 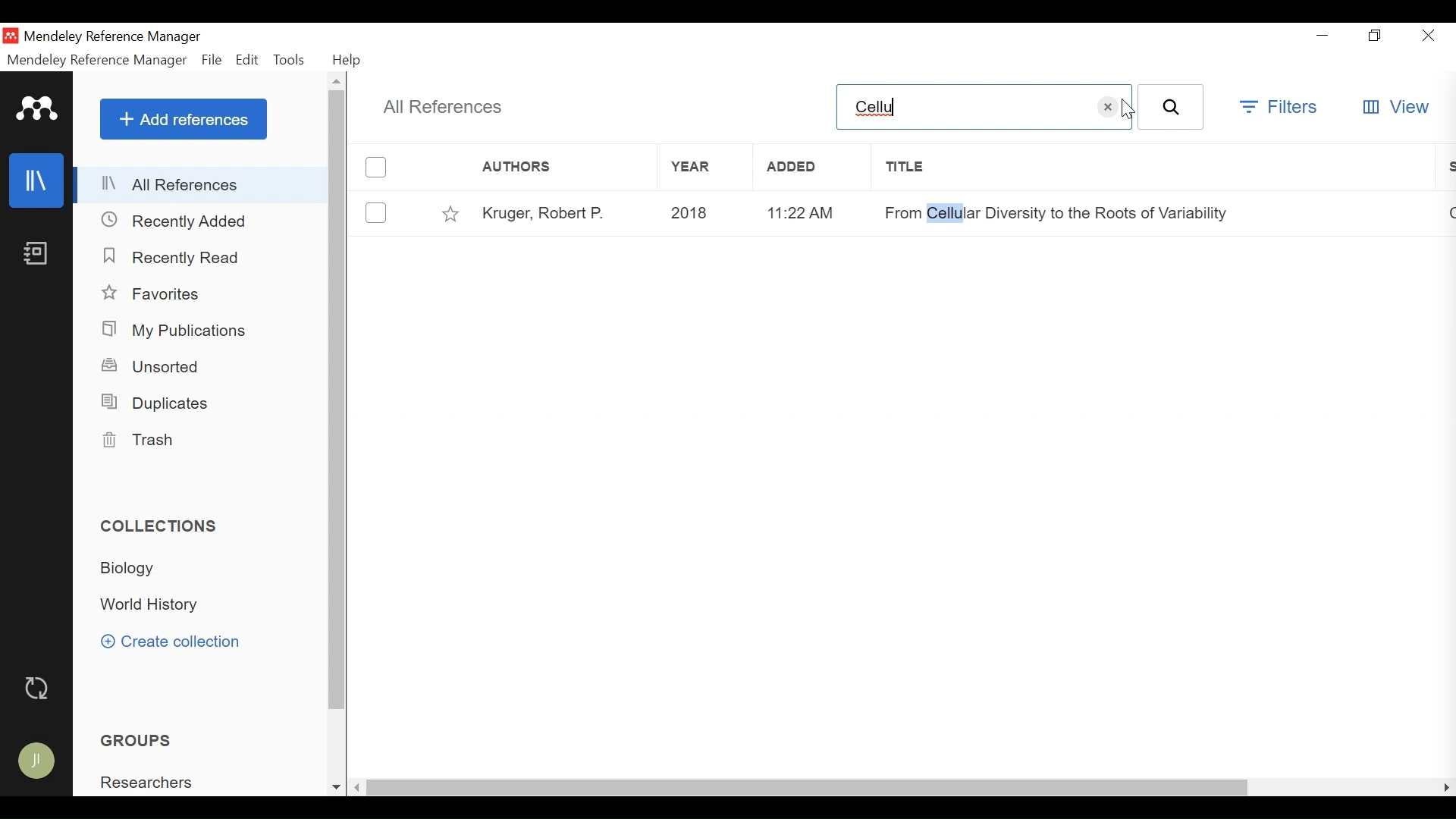 I want to click on Trash, so click(x=147, y=442).